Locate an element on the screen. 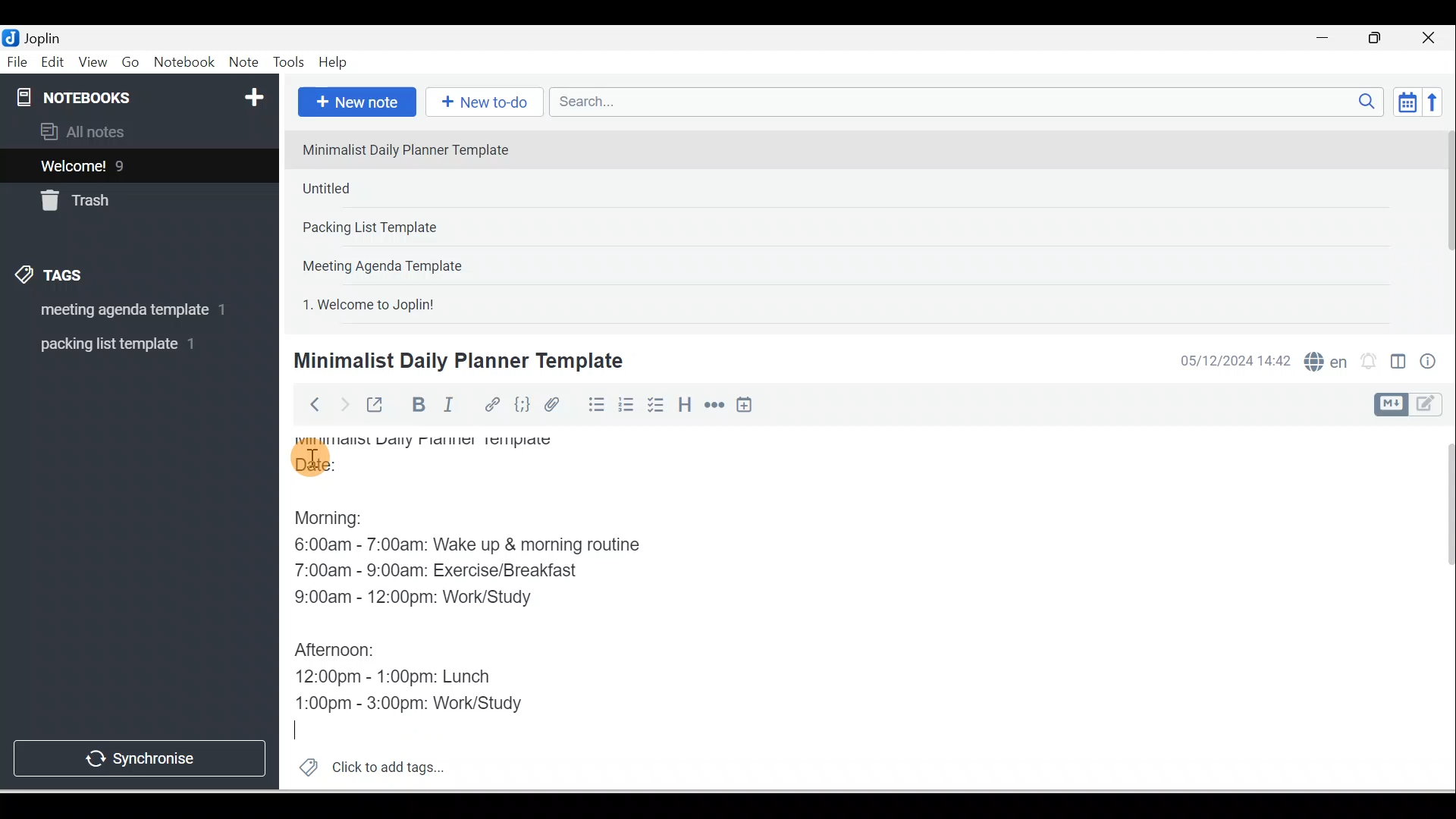  Reverse sort is located at coordinates (1437, 102).